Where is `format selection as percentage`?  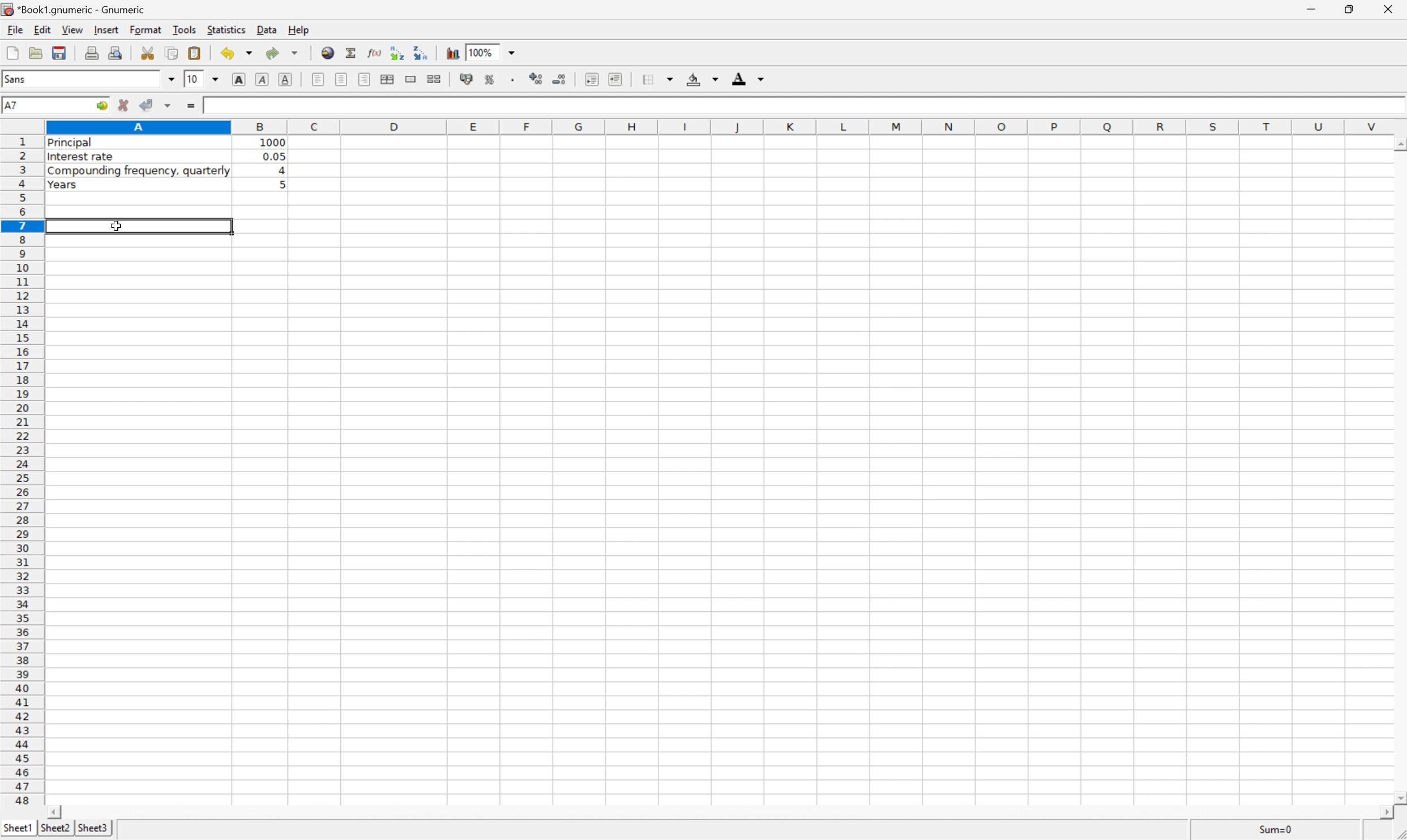
format selection as percentage is located at coordinates (490, 79).